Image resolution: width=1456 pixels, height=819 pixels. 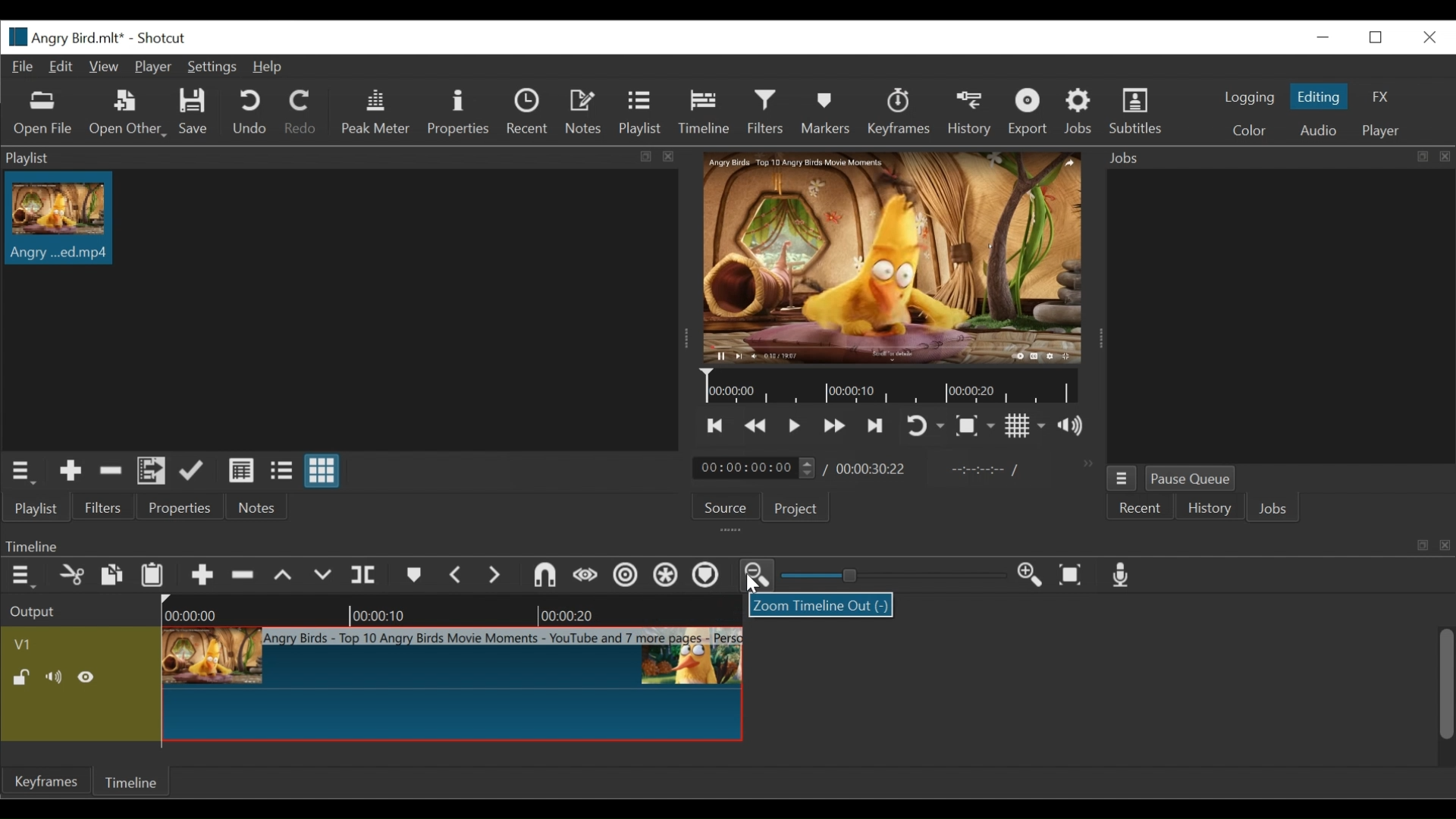 I want to click on Zoom Timeline dialogue box, so click(x=820, y=605).